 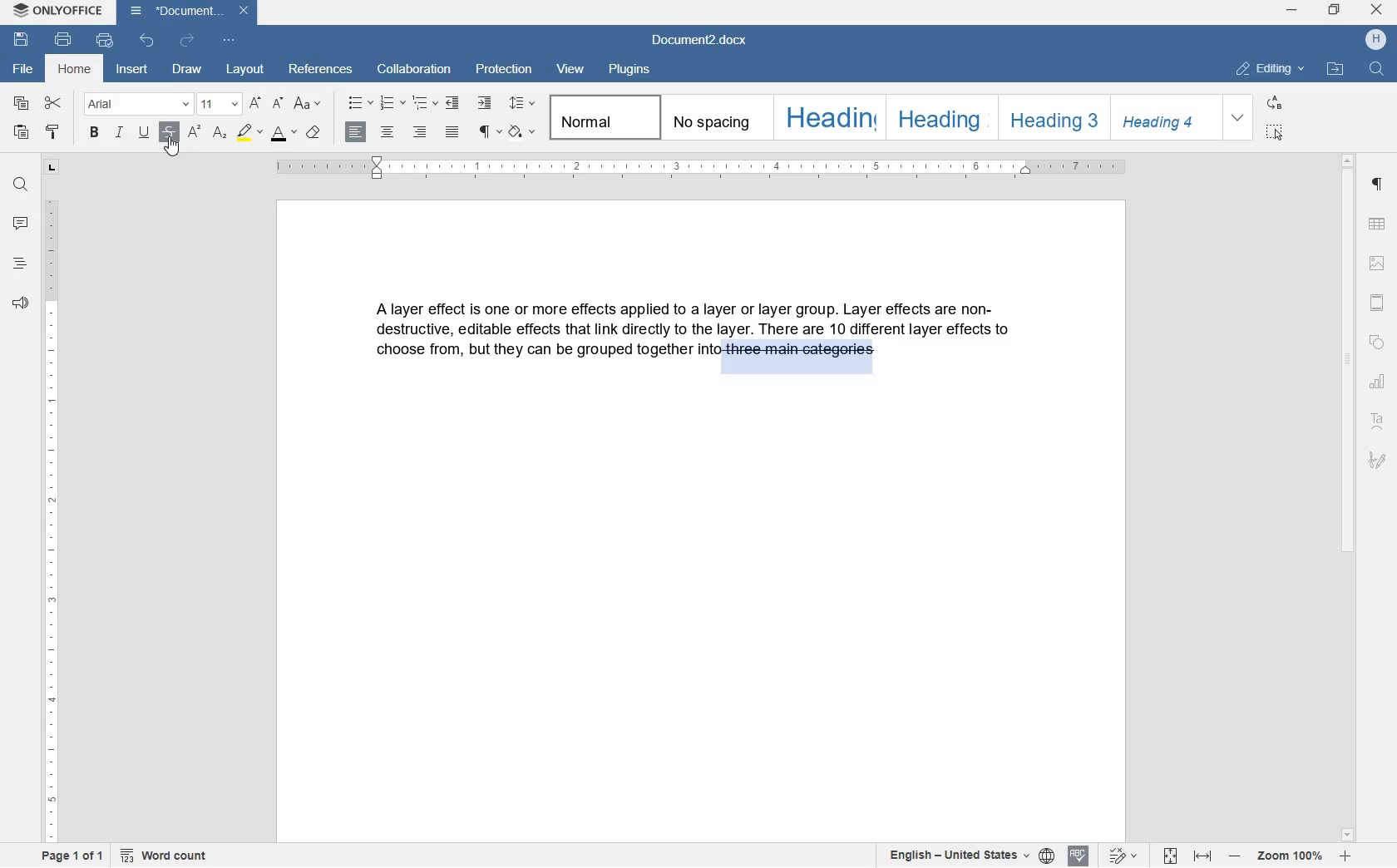 What do you see at coordinates (702, 42) in the screenshot?
I see `document2.docx` at bounding box center [702, 42].